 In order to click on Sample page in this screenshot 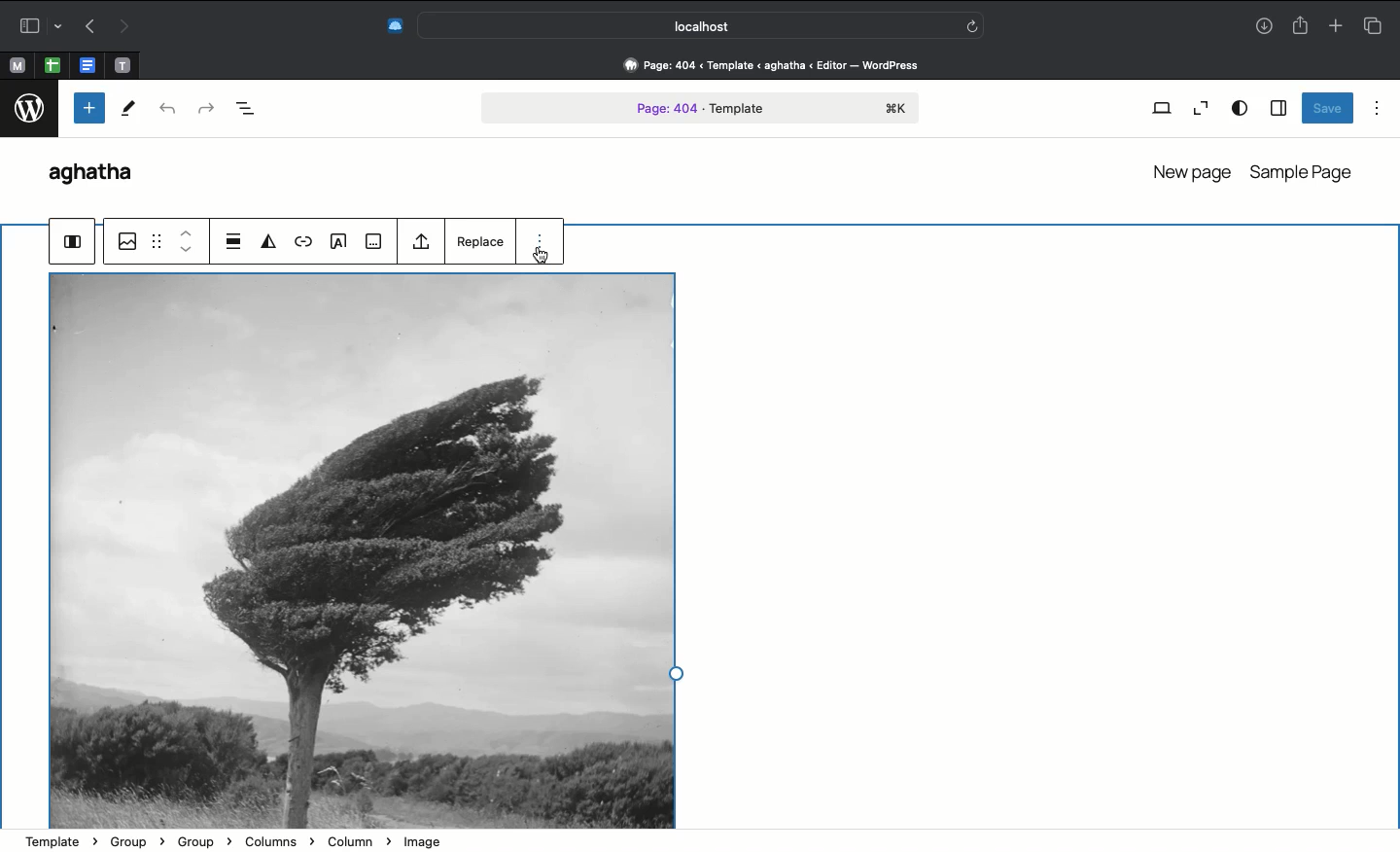, I will do `click(1304, 172)`.